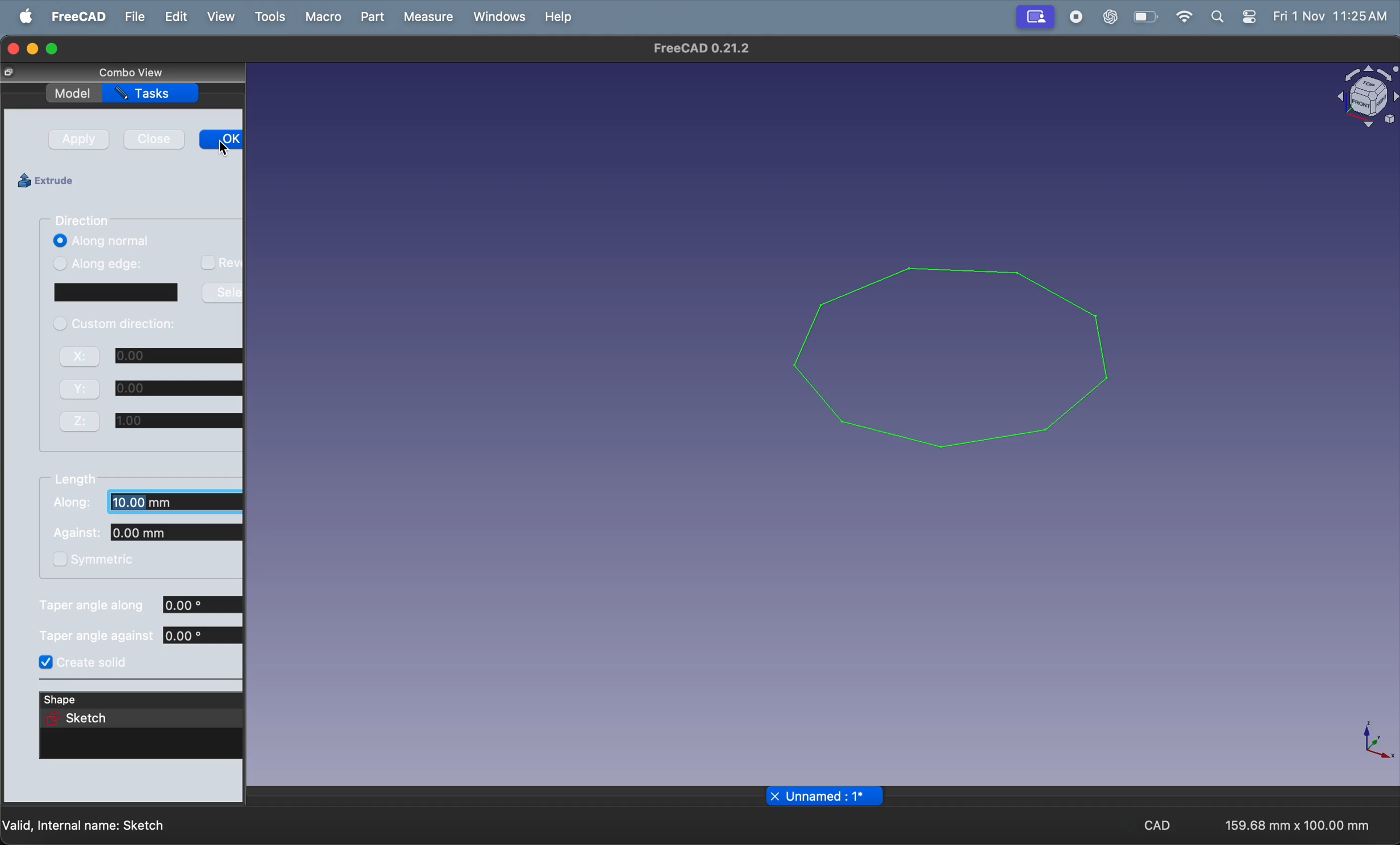  What do you see at coordinates (84, 220) in the screenshot?
I see `direction` at bounding box center [84, 220].